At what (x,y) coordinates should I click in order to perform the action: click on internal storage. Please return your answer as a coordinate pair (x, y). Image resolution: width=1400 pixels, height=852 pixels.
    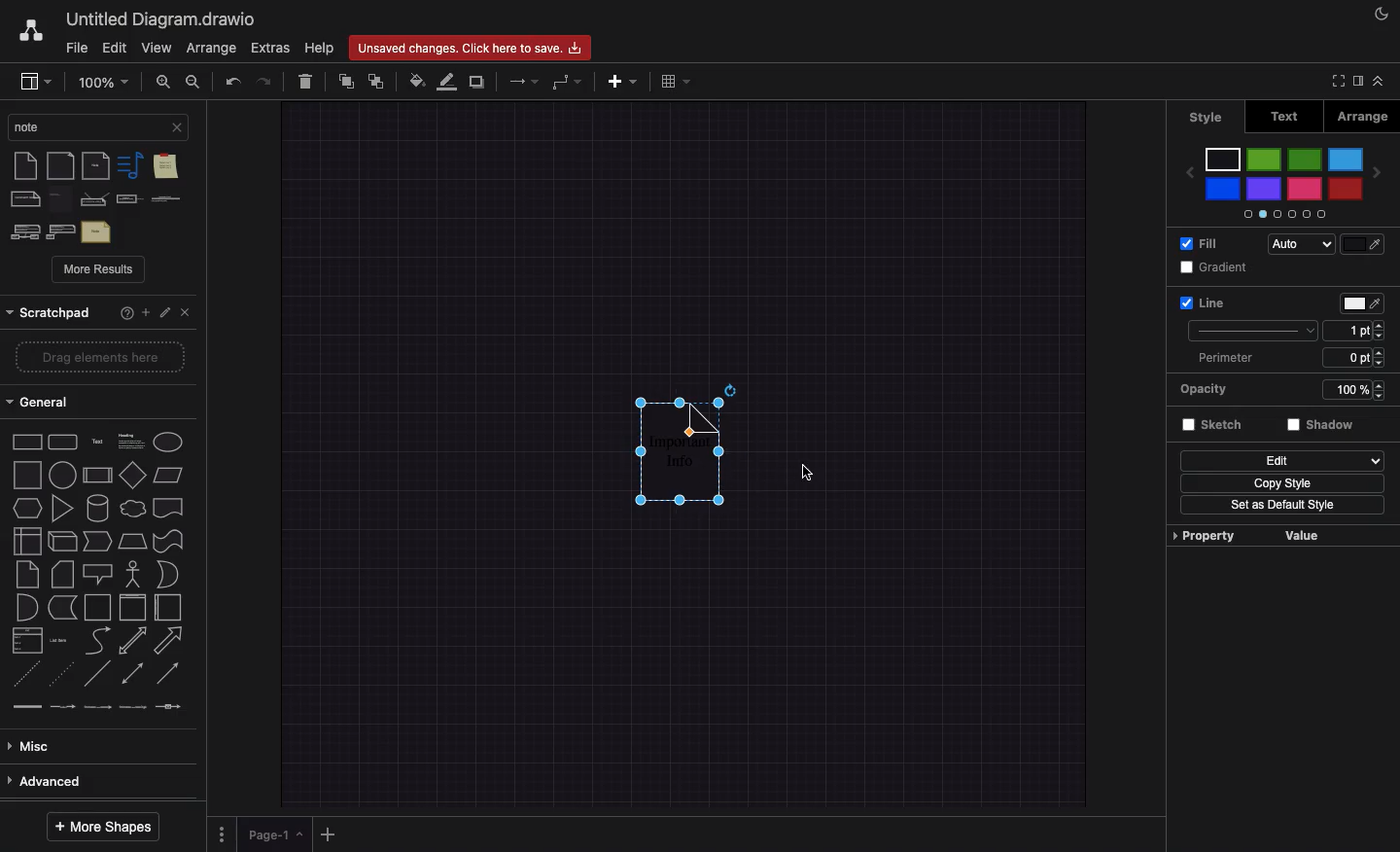
    Looking at the image, I should click on (25, 541).